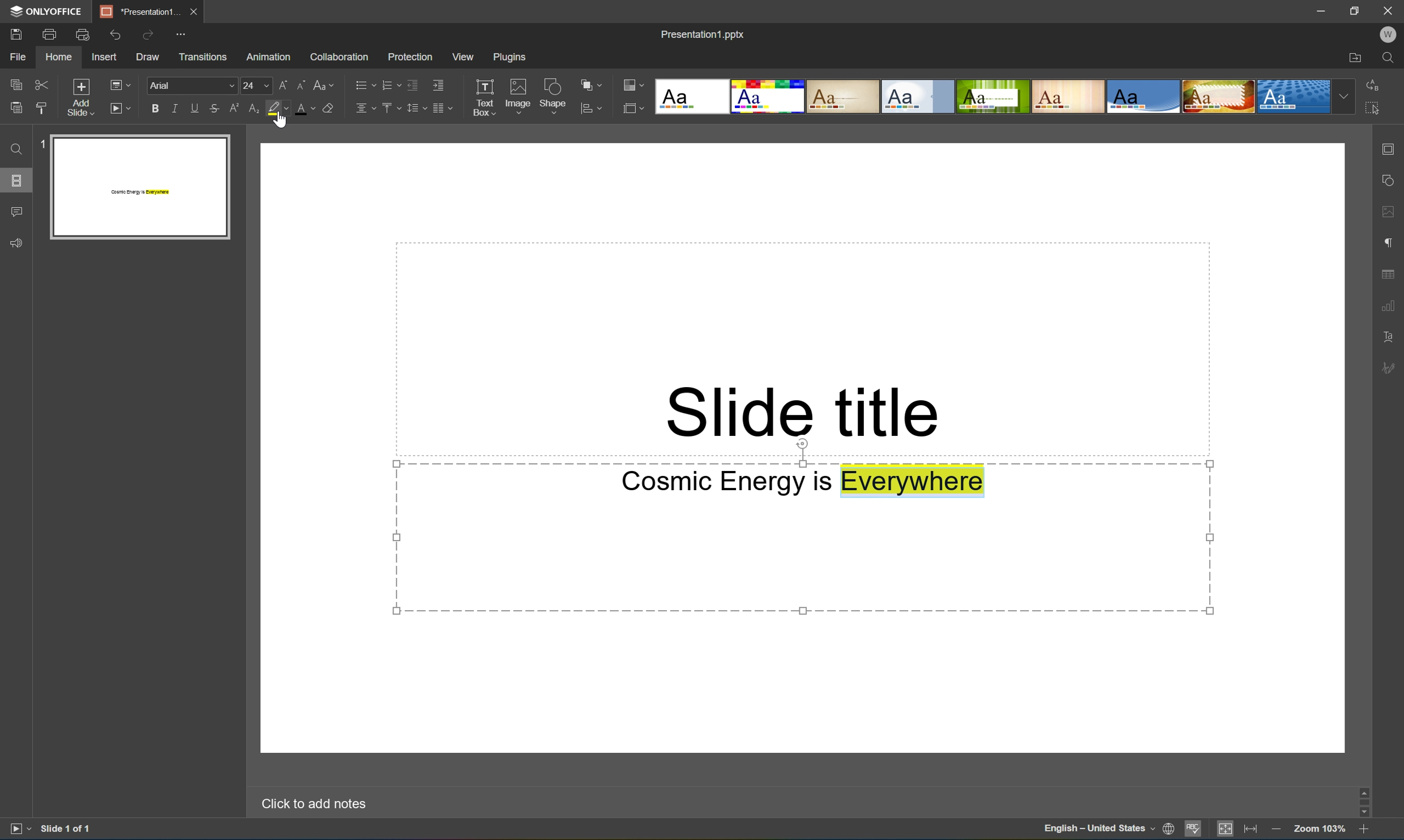  What do you see at coordinates (43, 142) in the screenshot?
I see `1` at bounding box center [43, 142].